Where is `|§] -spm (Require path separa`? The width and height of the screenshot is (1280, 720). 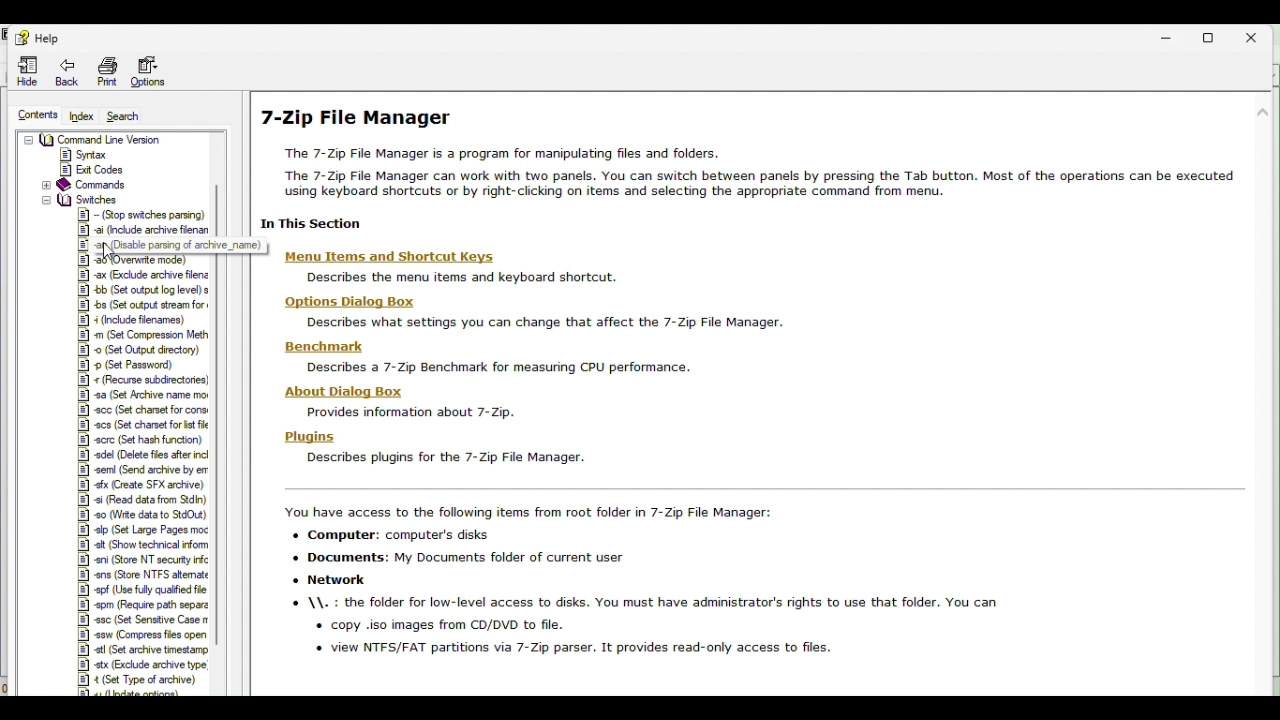 |§] -spm (Require path separa is located at coordinates (142, 605).